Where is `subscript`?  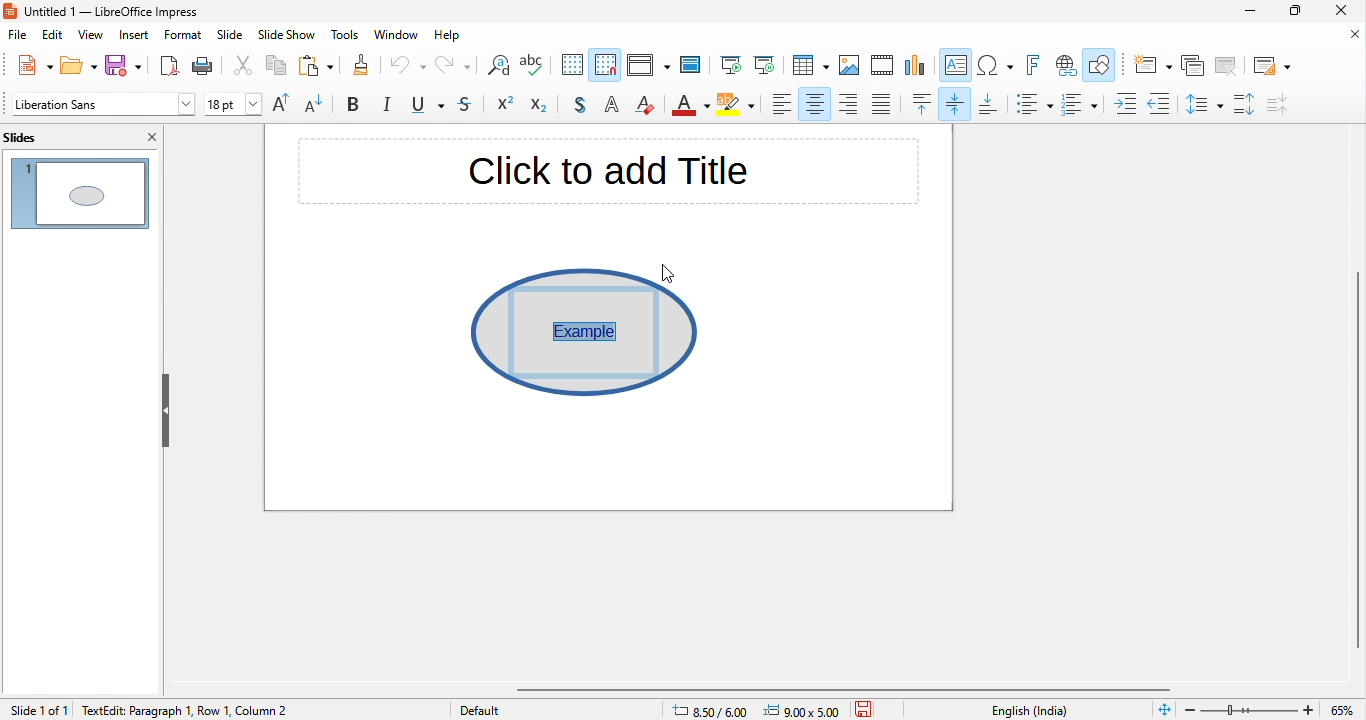
subscript is located at coordinates (543, 106).